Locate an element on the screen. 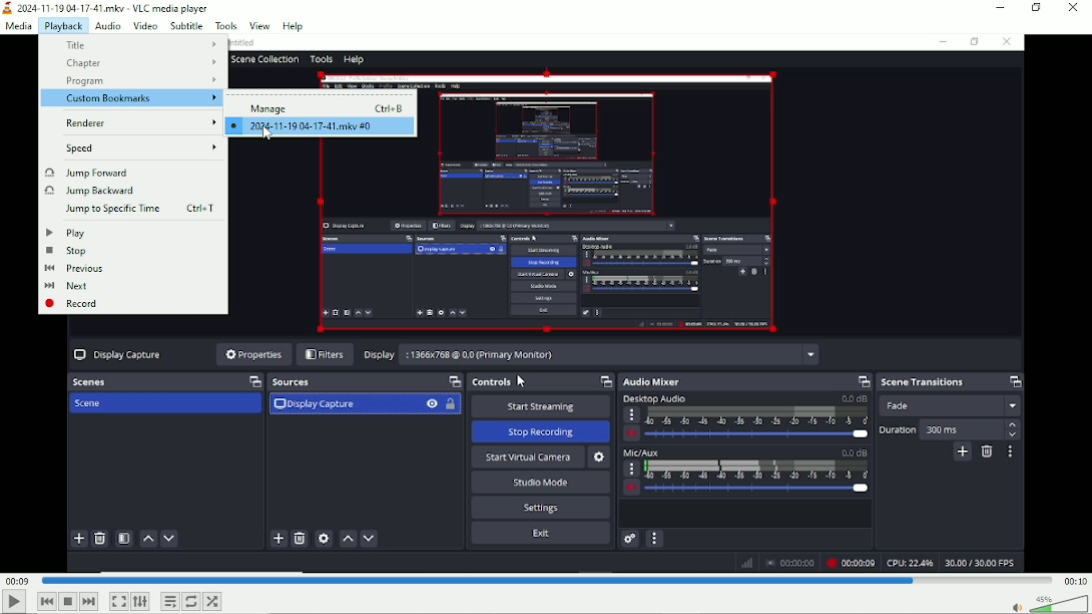  show extended settings is located at coordinates (141, 602).